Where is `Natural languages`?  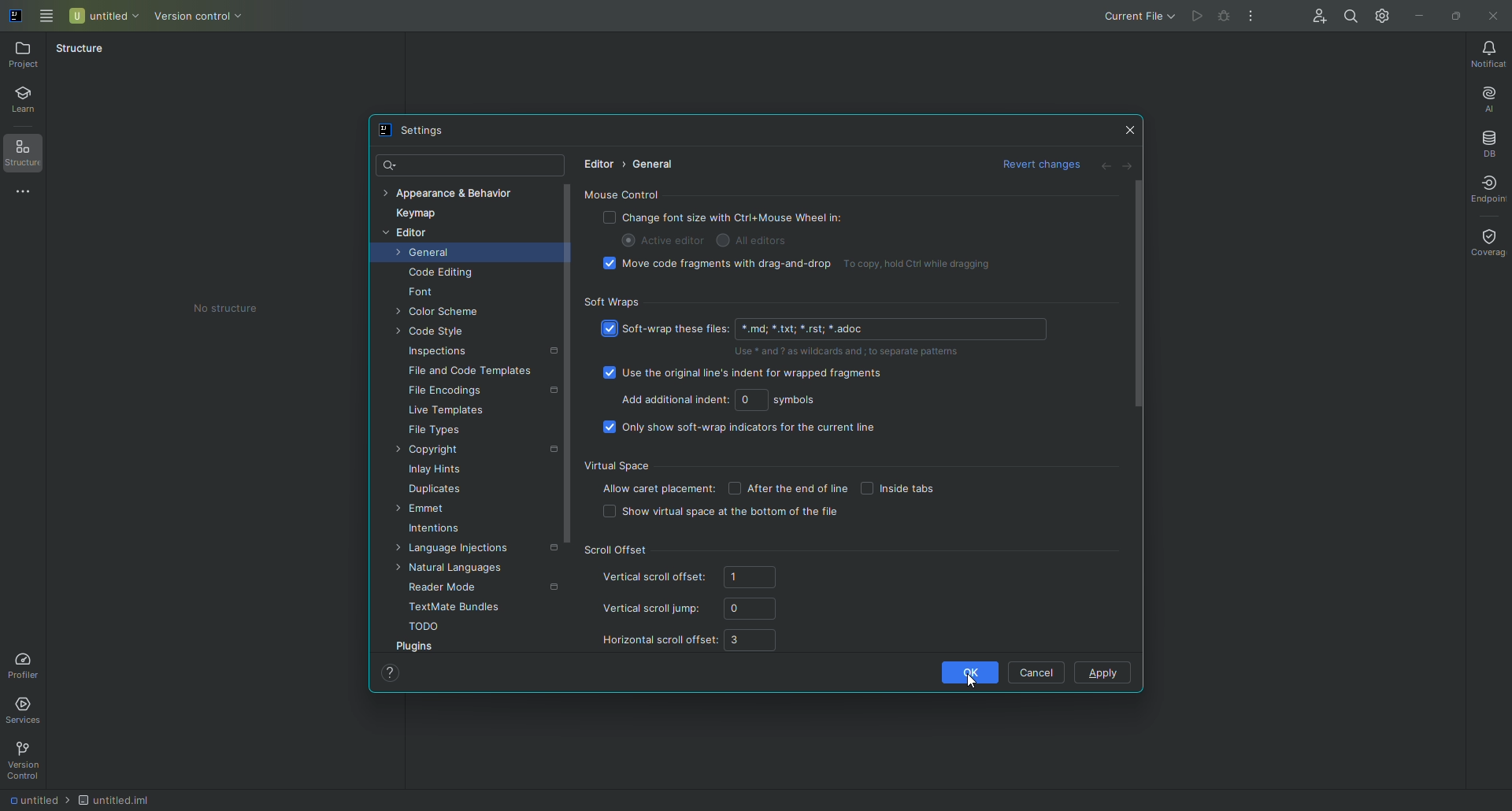
Natural languages is located at coordinates (450, 569).